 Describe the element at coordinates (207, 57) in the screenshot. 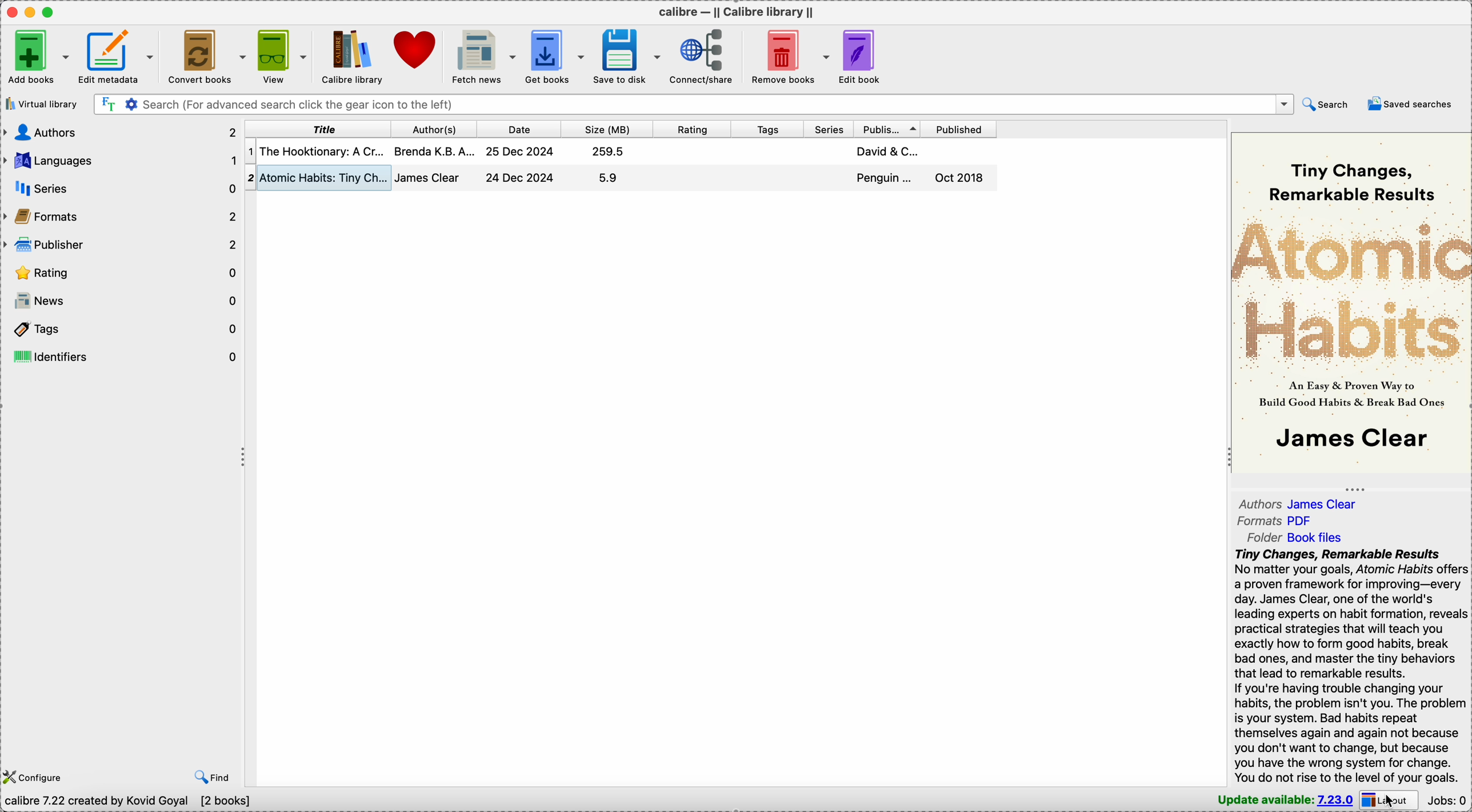

I see `convert books` at that location.